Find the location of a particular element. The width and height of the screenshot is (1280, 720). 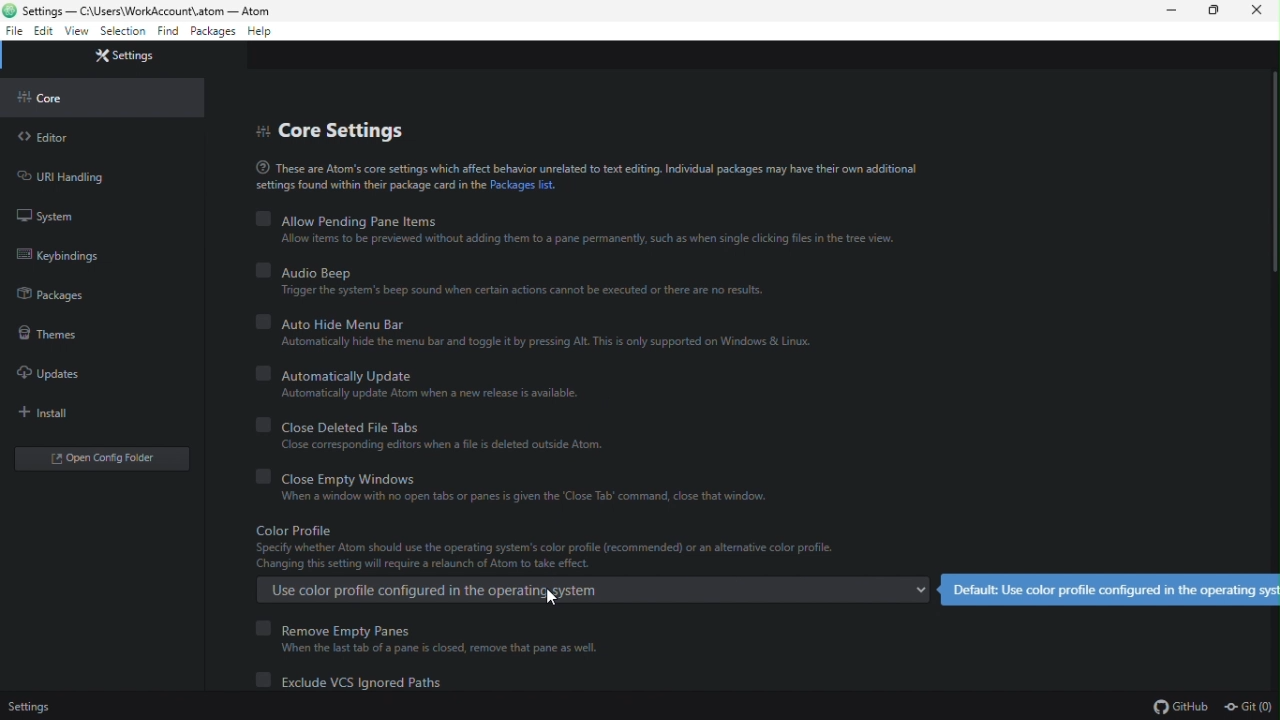

view  is located at coordinates (78, 32).